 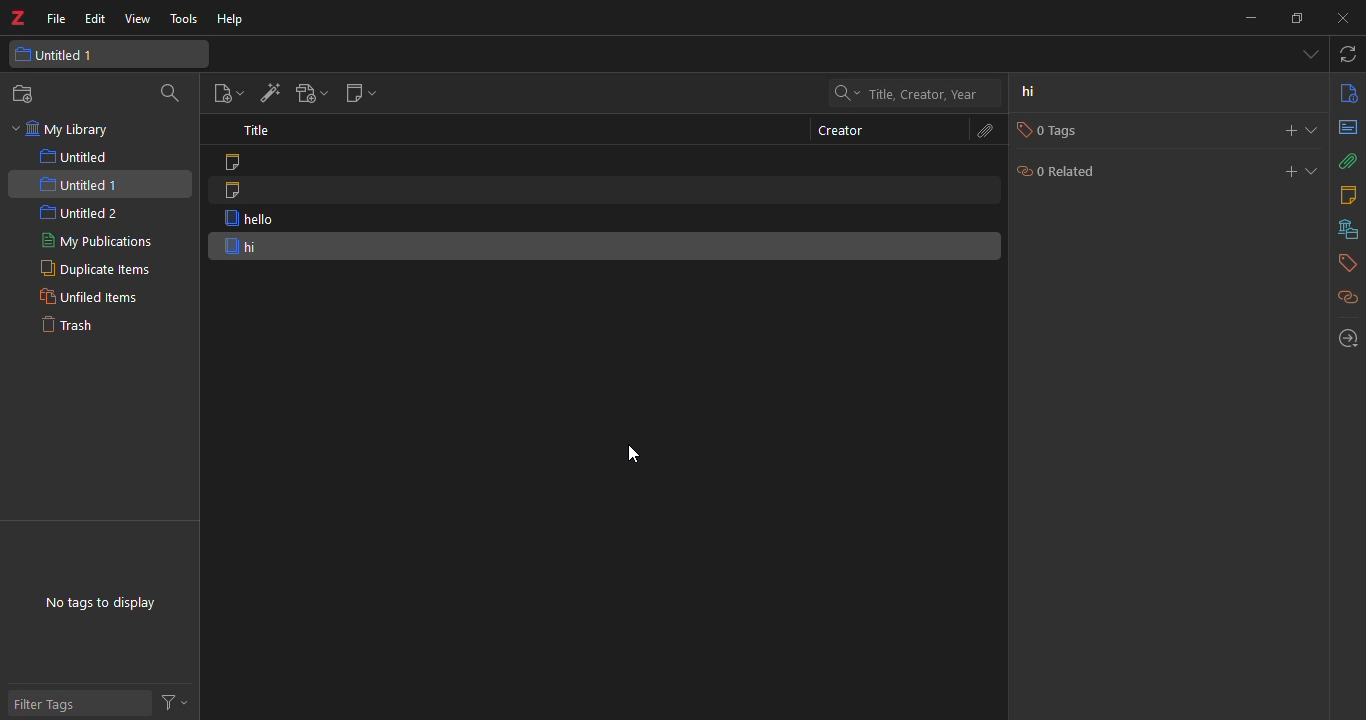 I want to click on related, so click(x=1347, y=299).